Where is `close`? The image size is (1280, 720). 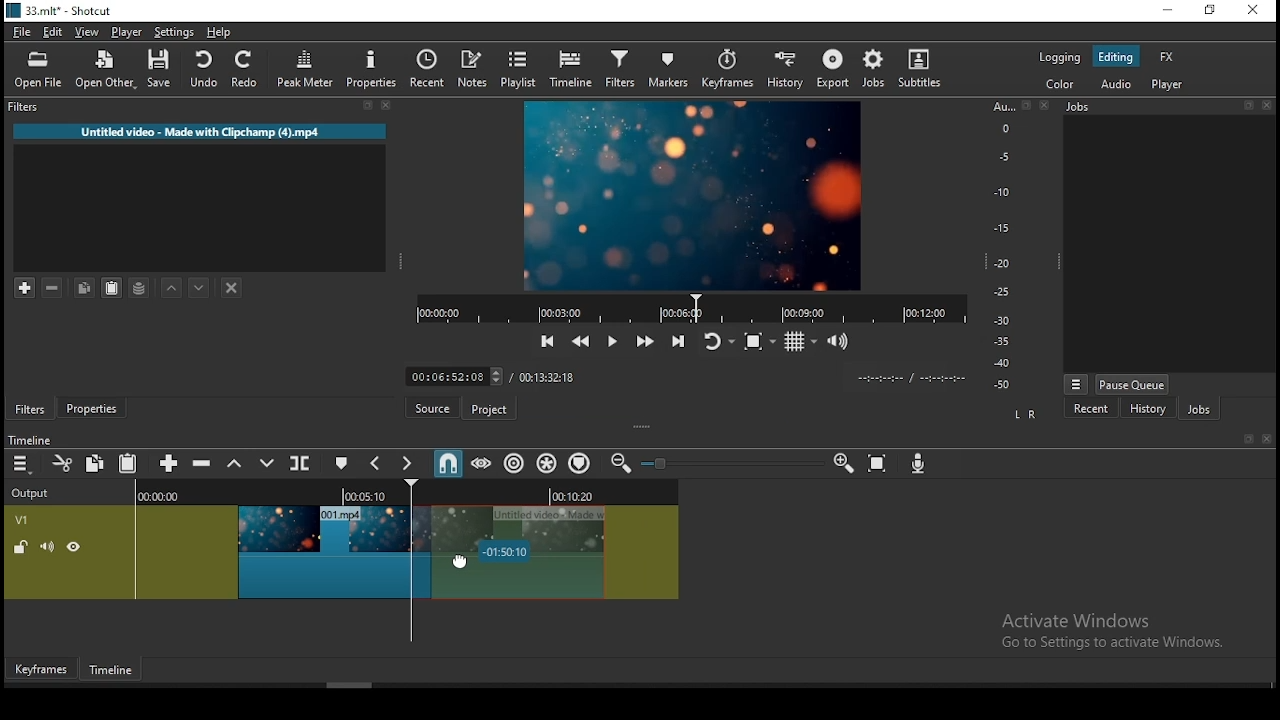 close is located at coordinates (1269, 440).